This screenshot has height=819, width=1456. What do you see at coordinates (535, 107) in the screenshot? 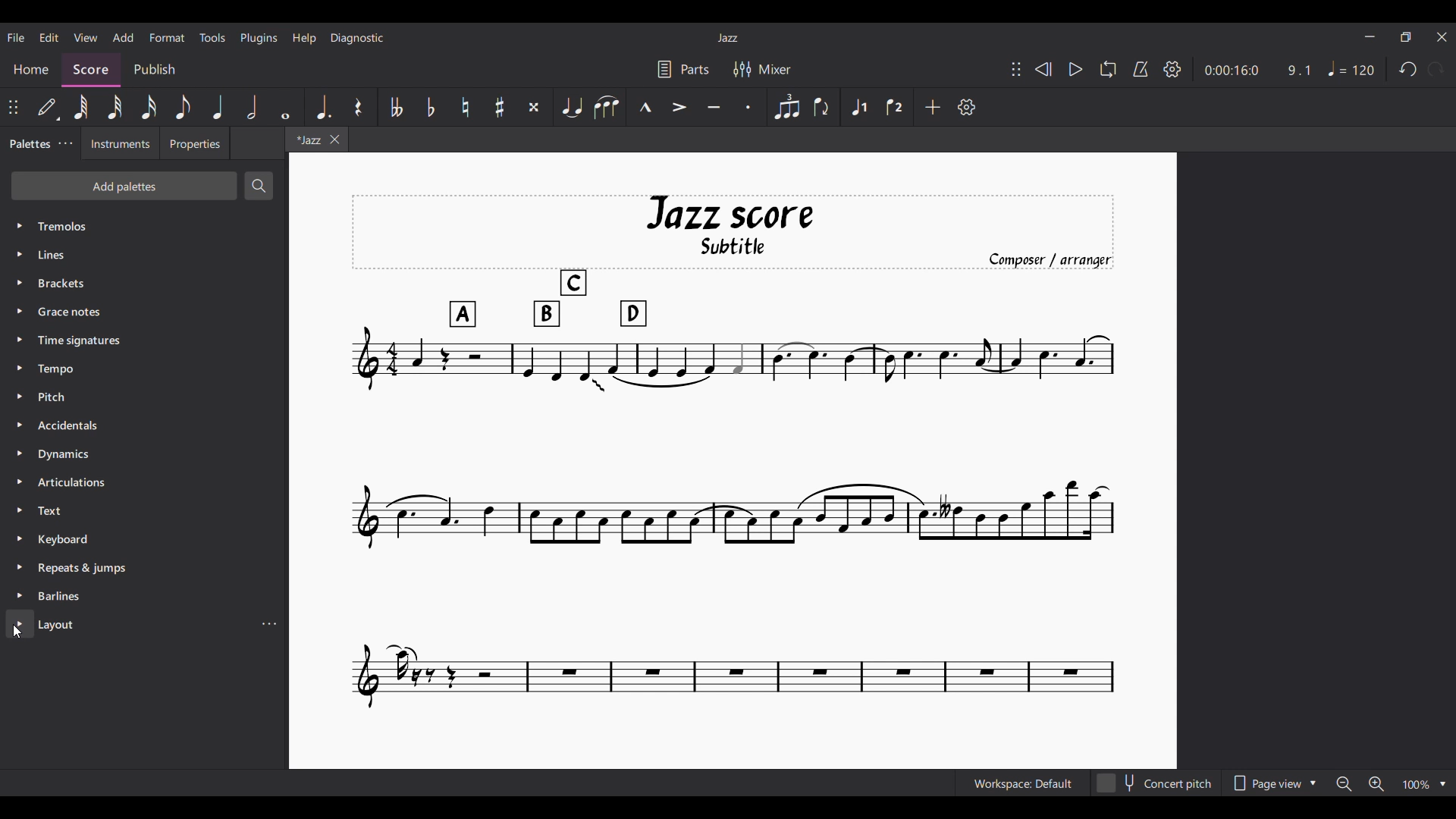
I see `Toggle double sharp` at bounding box center [535, 107].